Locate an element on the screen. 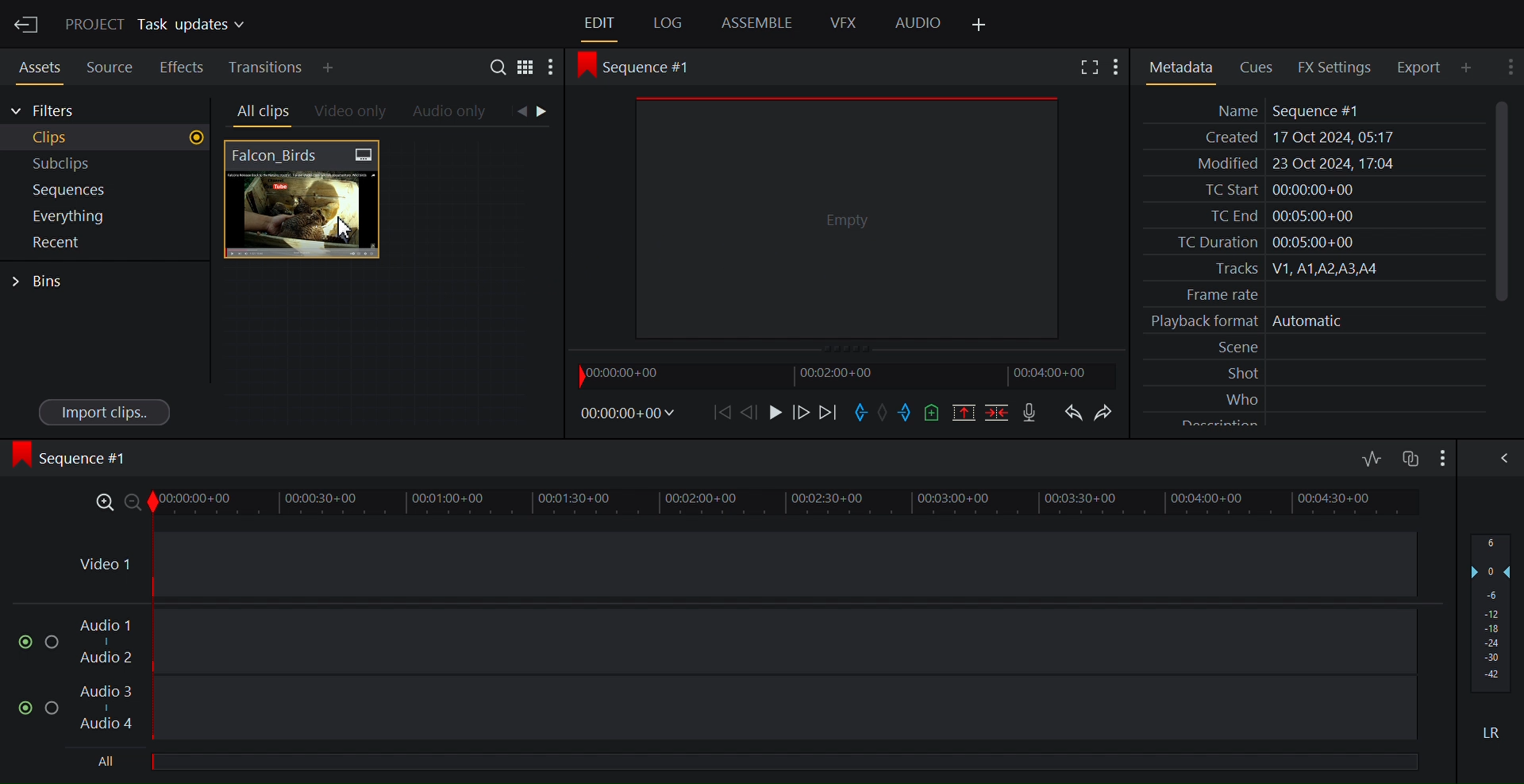 This screenshot has width=1524, height=784. Name is located at coordinates (1312, 110).